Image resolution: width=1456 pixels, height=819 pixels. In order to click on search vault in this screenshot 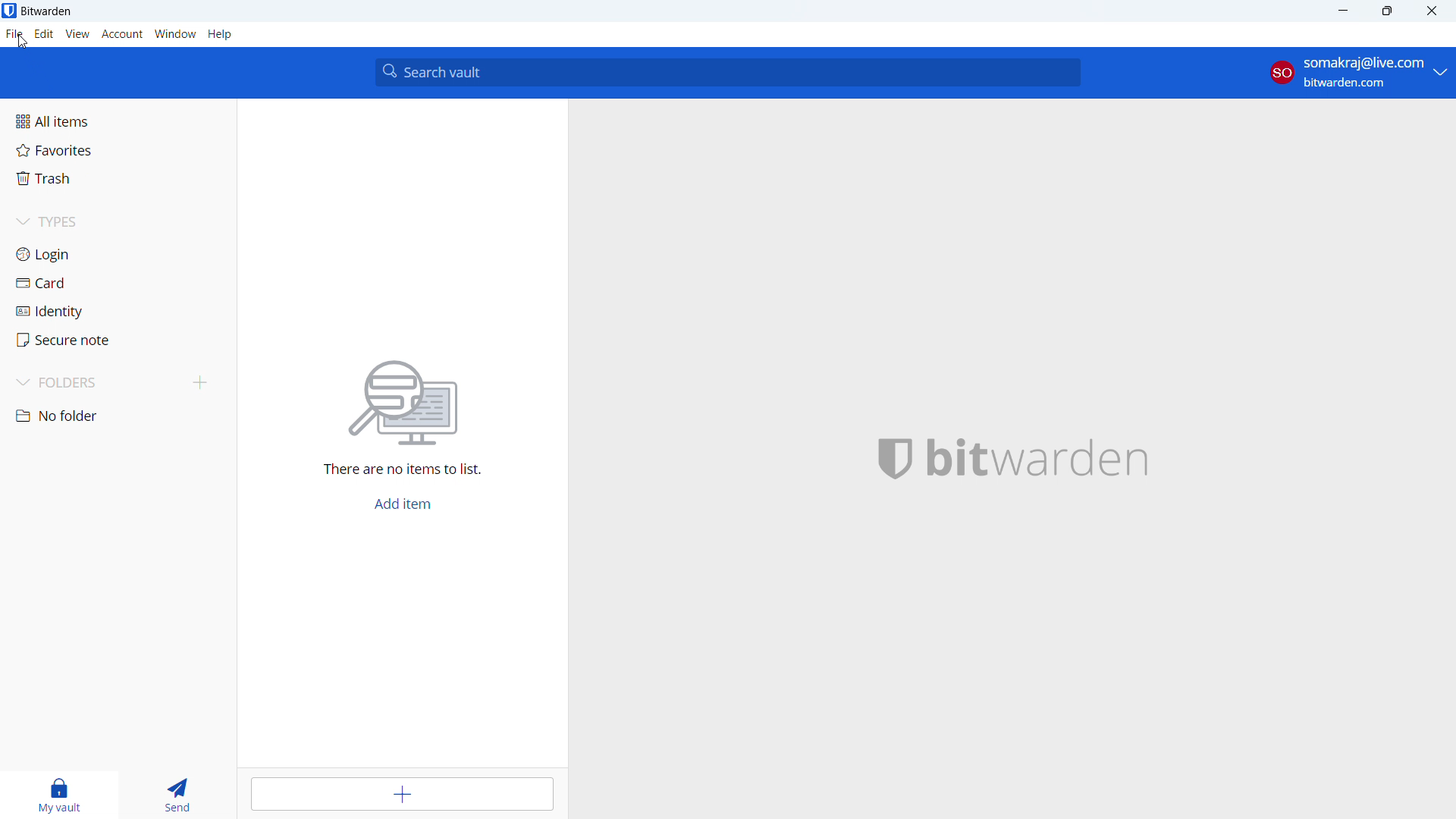, I will do `click(728, 72)`.